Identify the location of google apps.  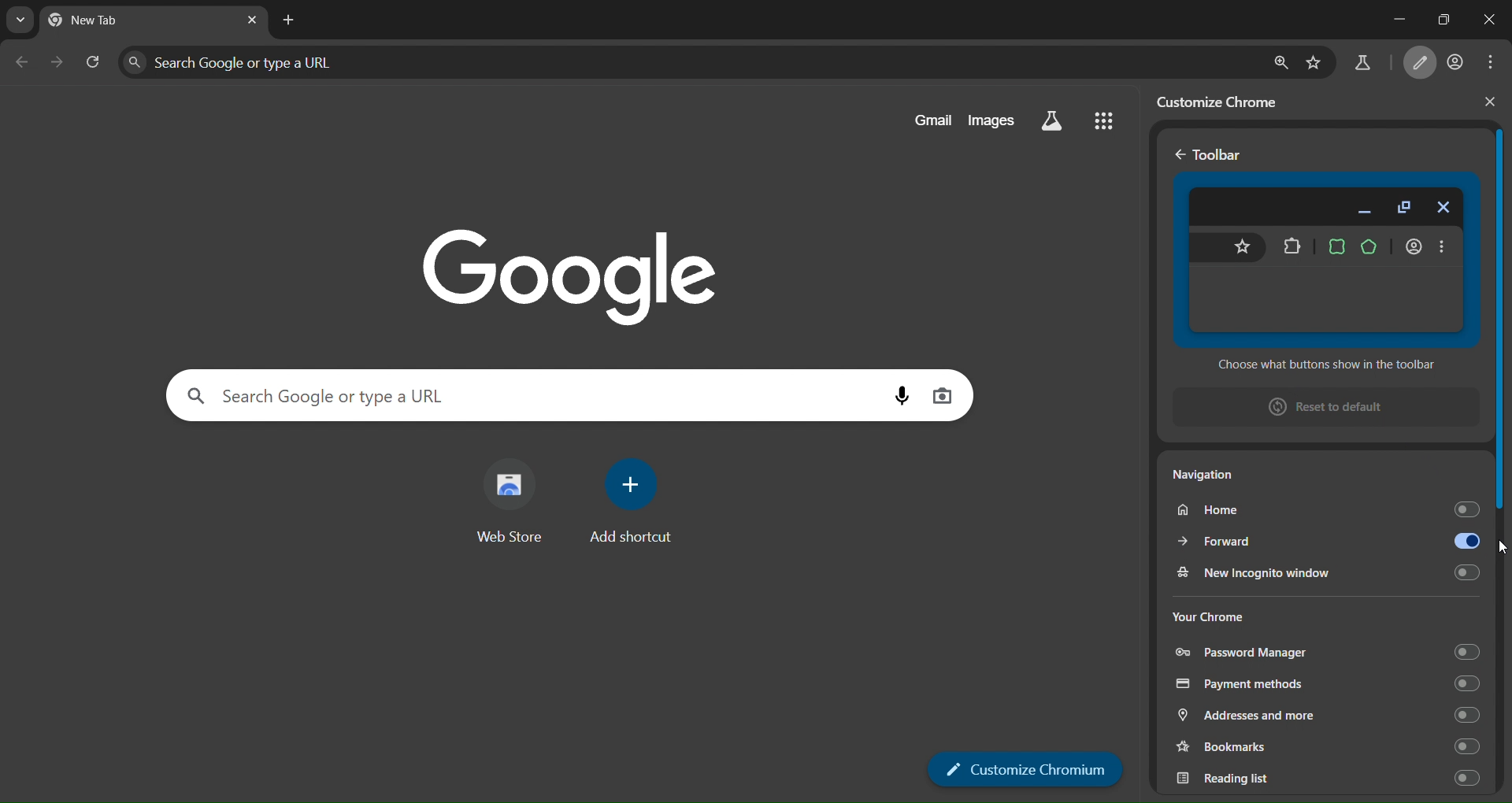
(1102, 119).